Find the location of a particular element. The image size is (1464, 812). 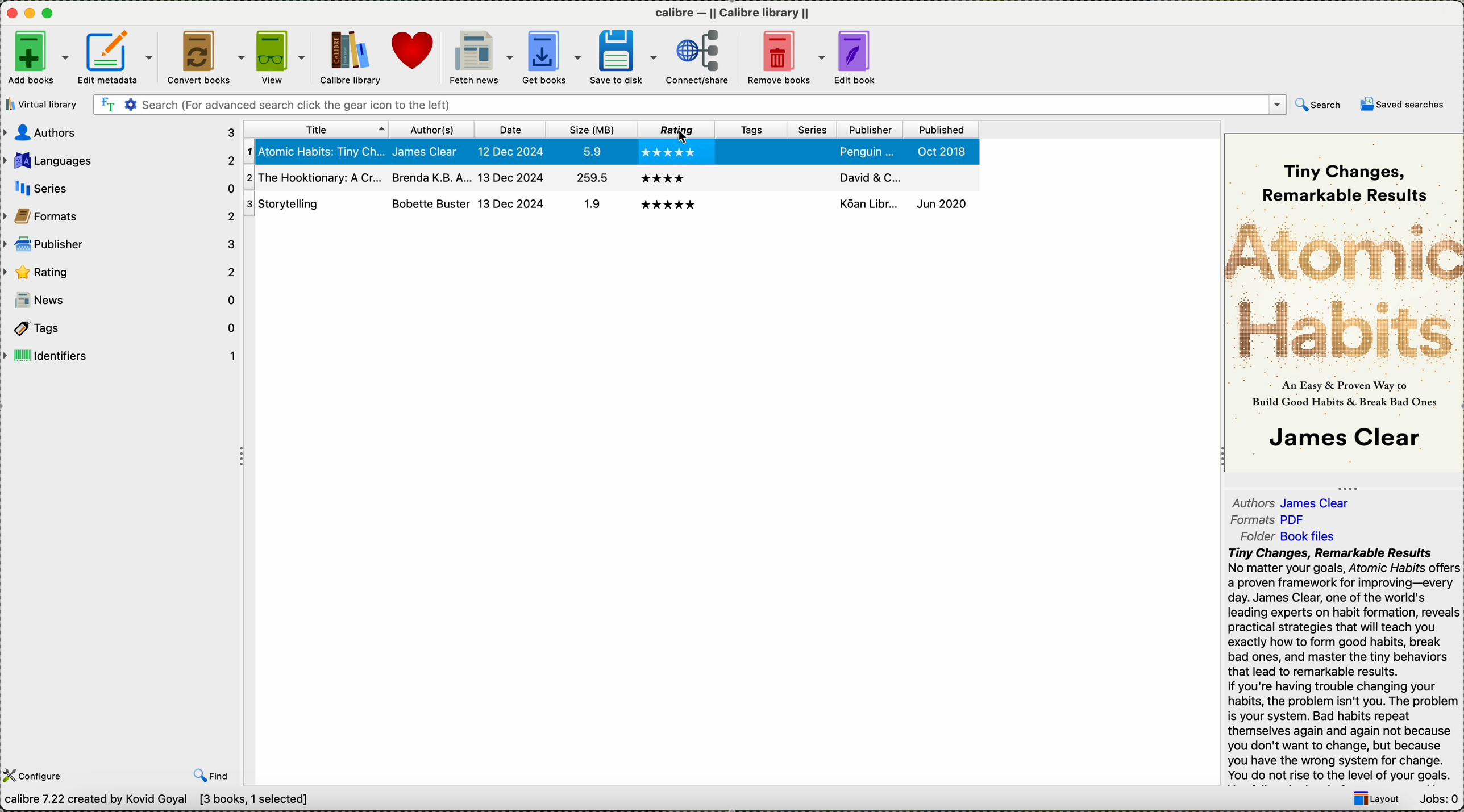

search is located at coordinates (1321, 105).